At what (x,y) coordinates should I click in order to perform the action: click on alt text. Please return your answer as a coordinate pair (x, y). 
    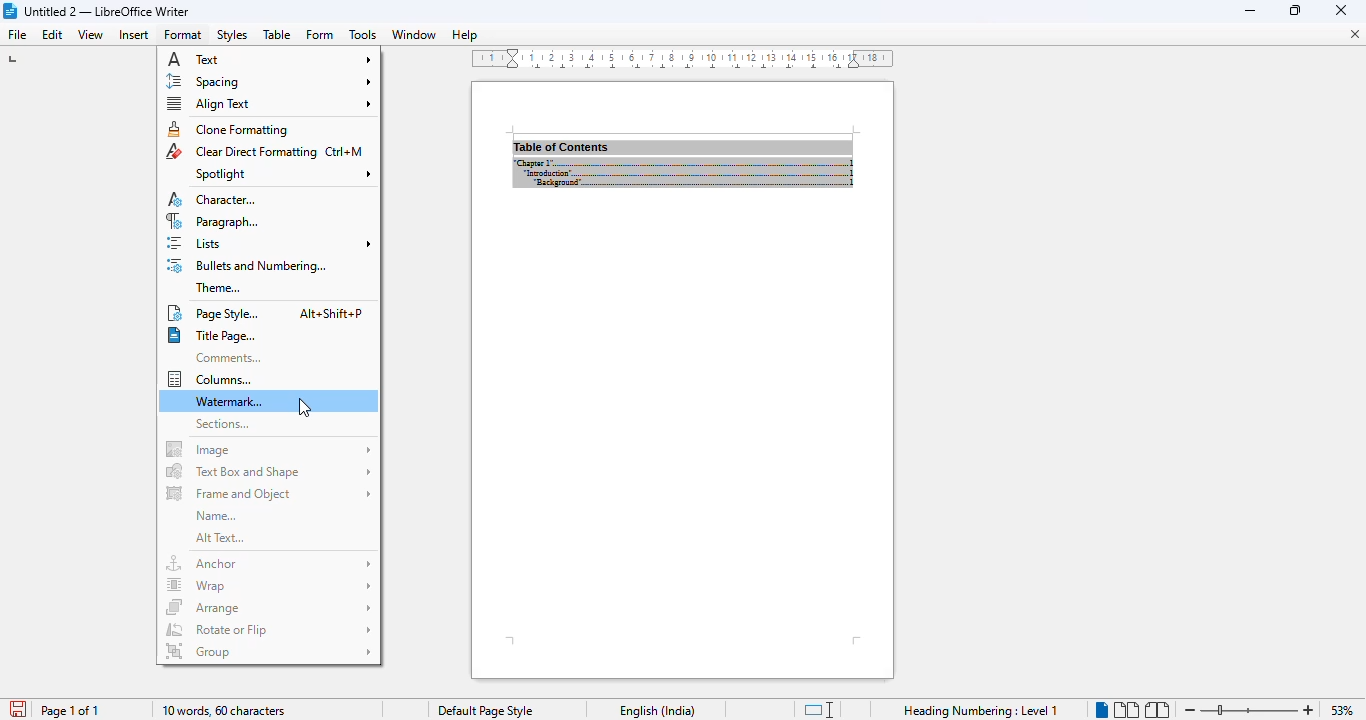
    Looking at the image, I should click on (220, 538).